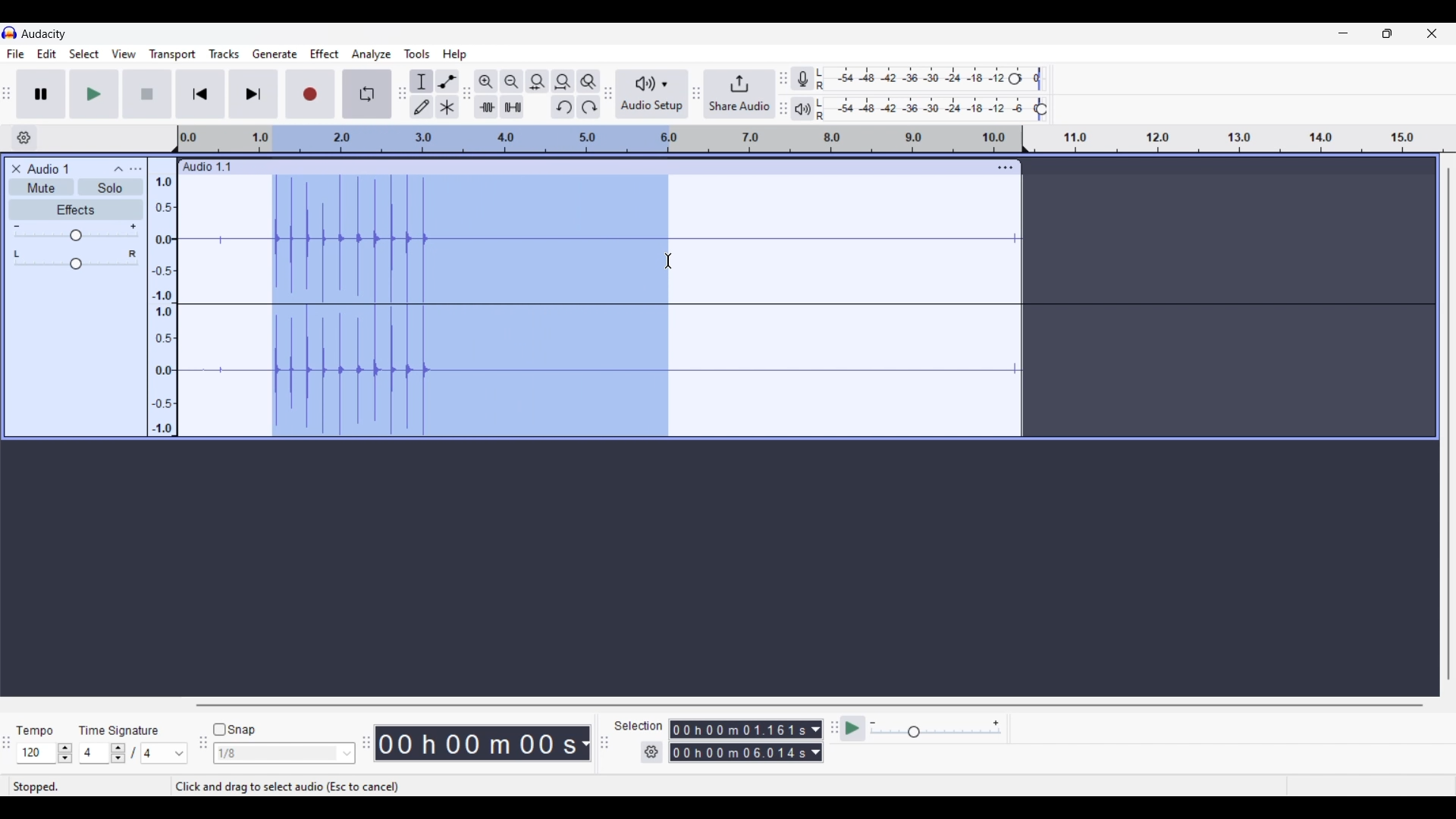 This screenshot has height=819, width=1456. Describe the element at coordinates (1246, 139) in the screenshot. I see `Scale to measure duration of recording` at that location.